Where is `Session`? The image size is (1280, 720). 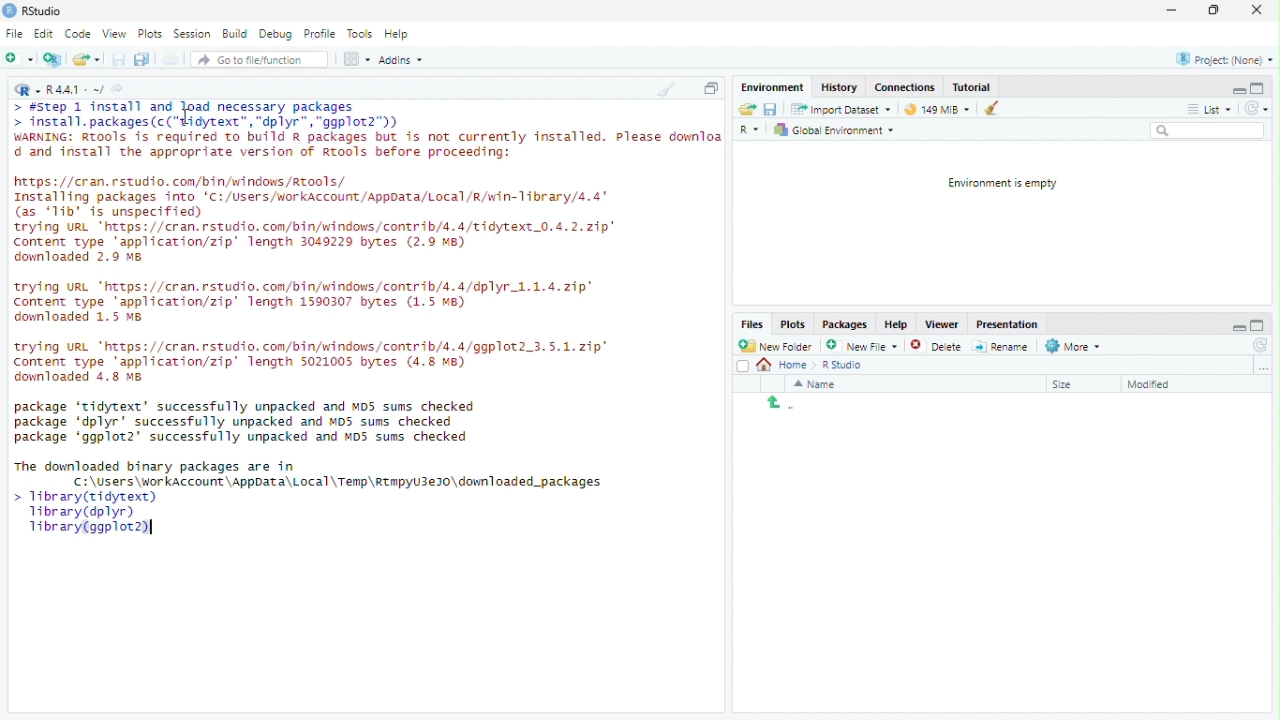
Session is located at coordinates (192, 33).